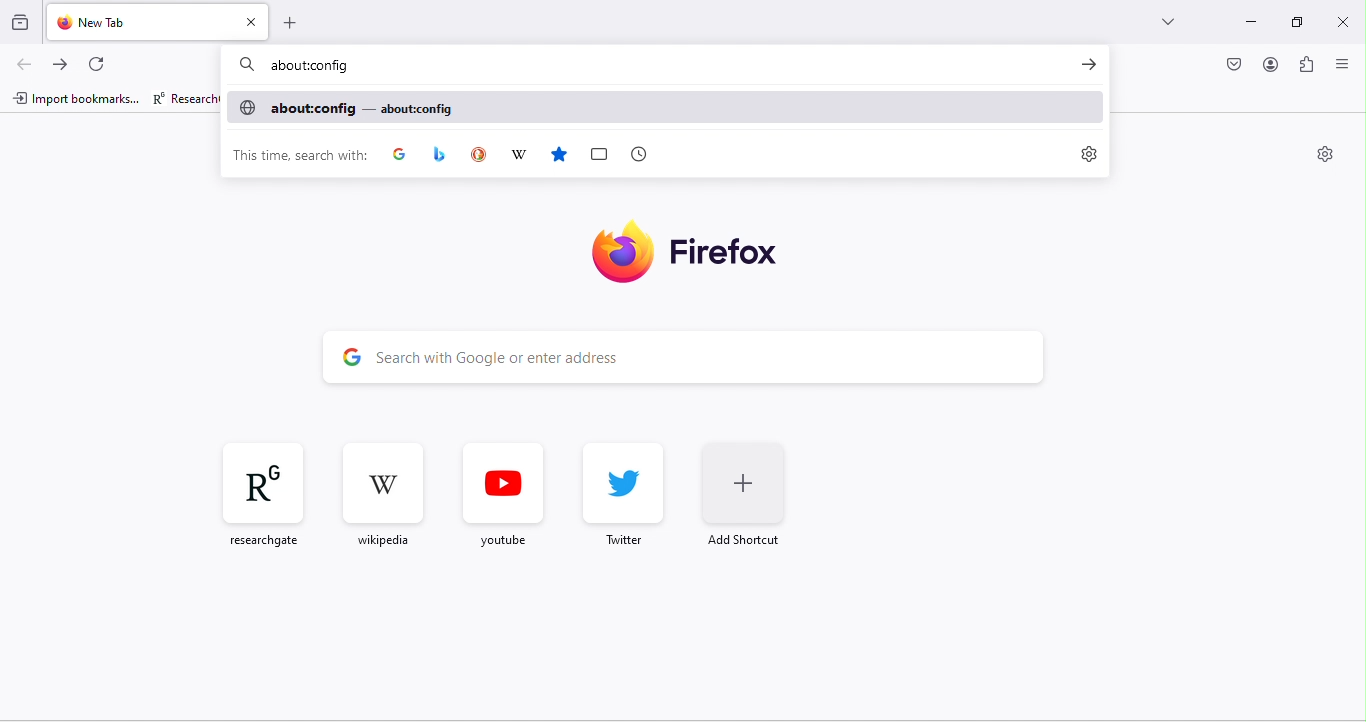 The width and height of the screenshot is (1366, 722). Describe the element at coordinates (1267, 64) in the screenshot. I see `account` at that location.